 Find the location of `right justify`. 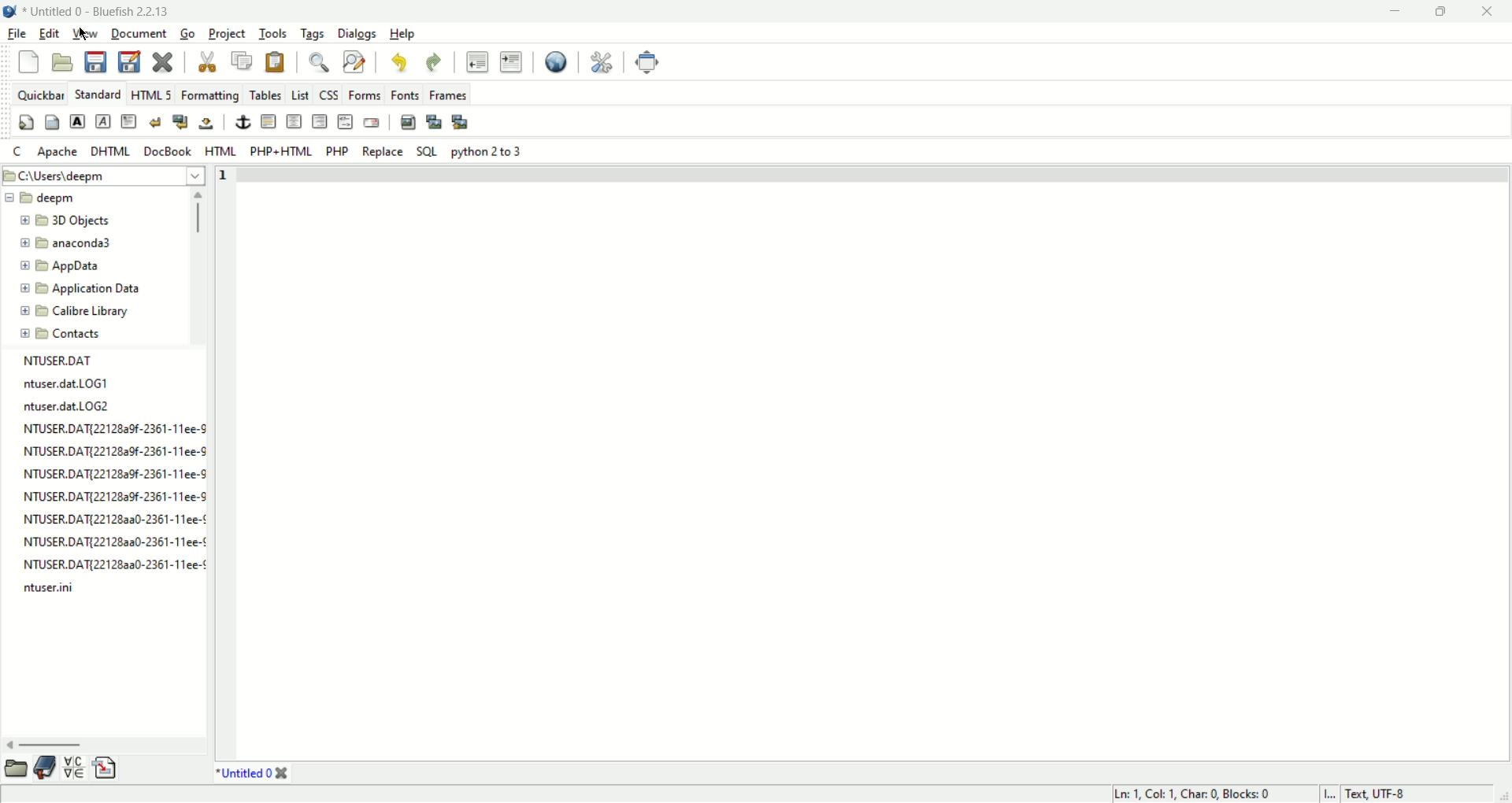

right justify is located at coordinates (321, 120).